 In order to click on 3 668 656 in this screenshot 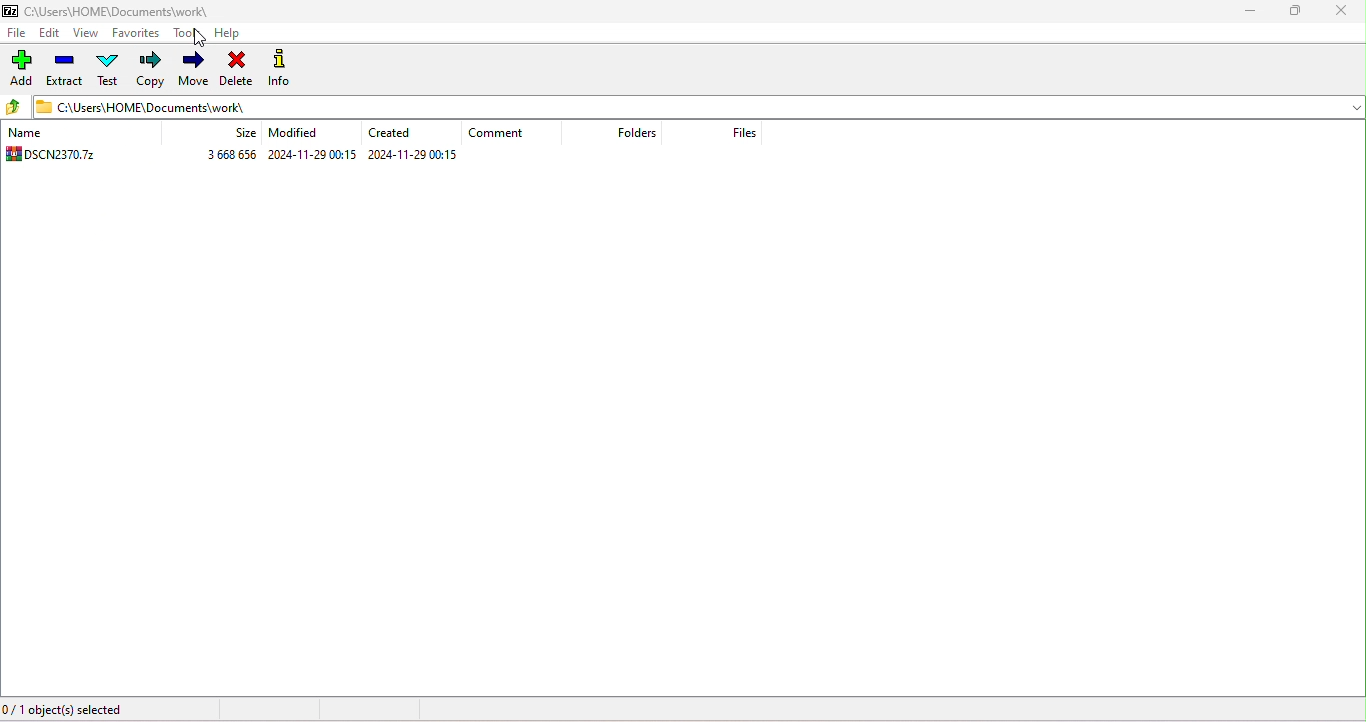, I will do `click(223, 157)`.